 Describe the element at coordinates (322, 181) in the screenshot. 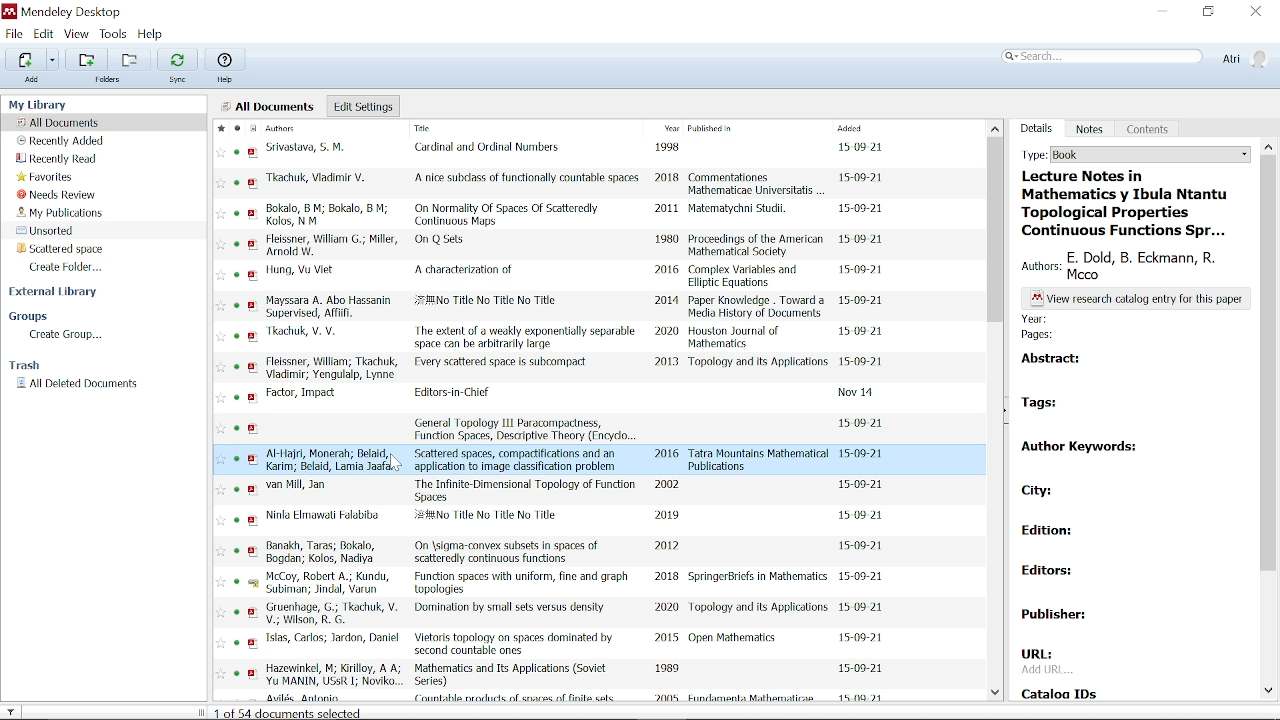

I see `authors` at that location.